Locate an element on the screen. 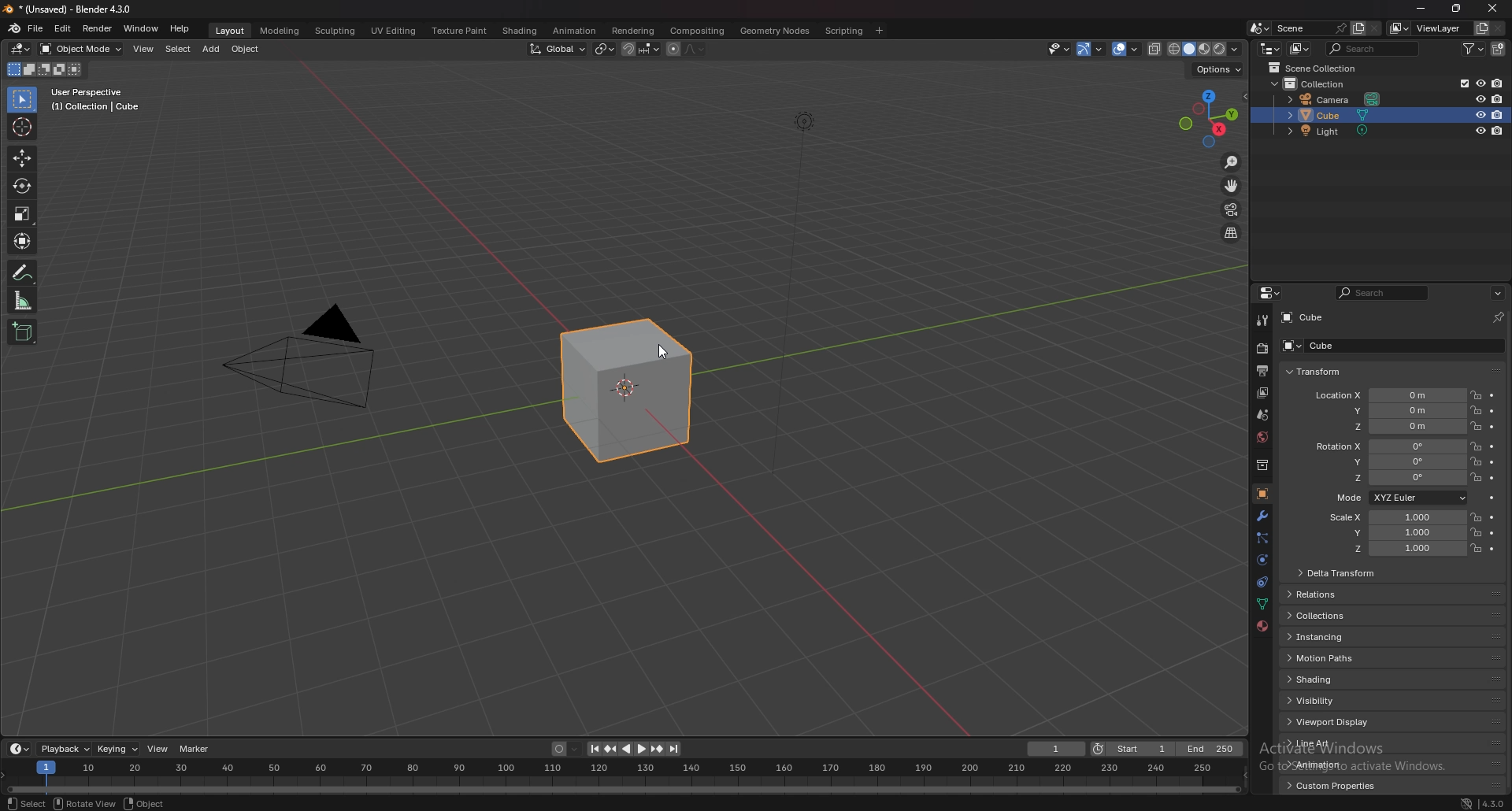 This screenshot has height=811, width=1512. lock is located at coordinates (1475, 517).